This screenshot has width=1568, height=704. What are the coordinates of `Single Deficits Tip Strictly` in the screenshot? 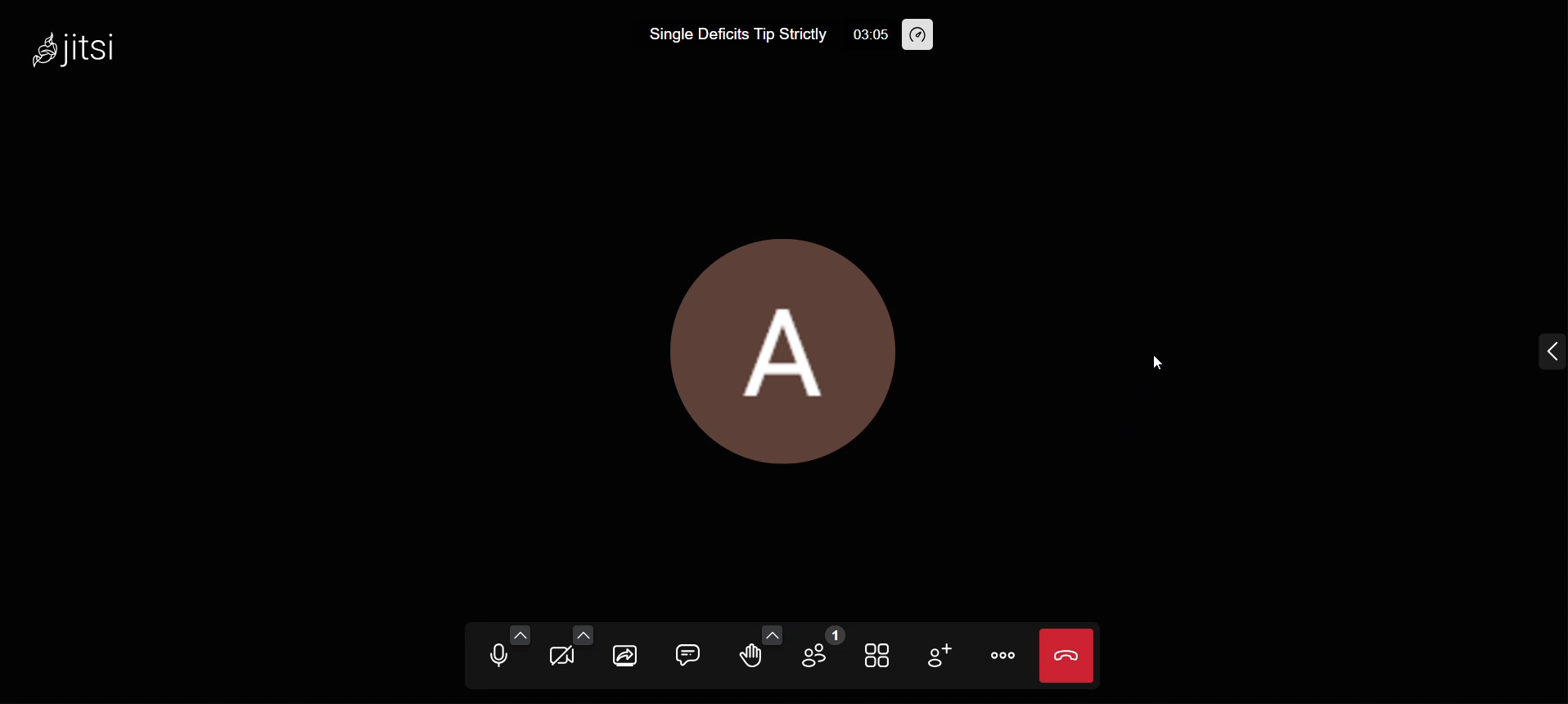 It's located at (720, 35).